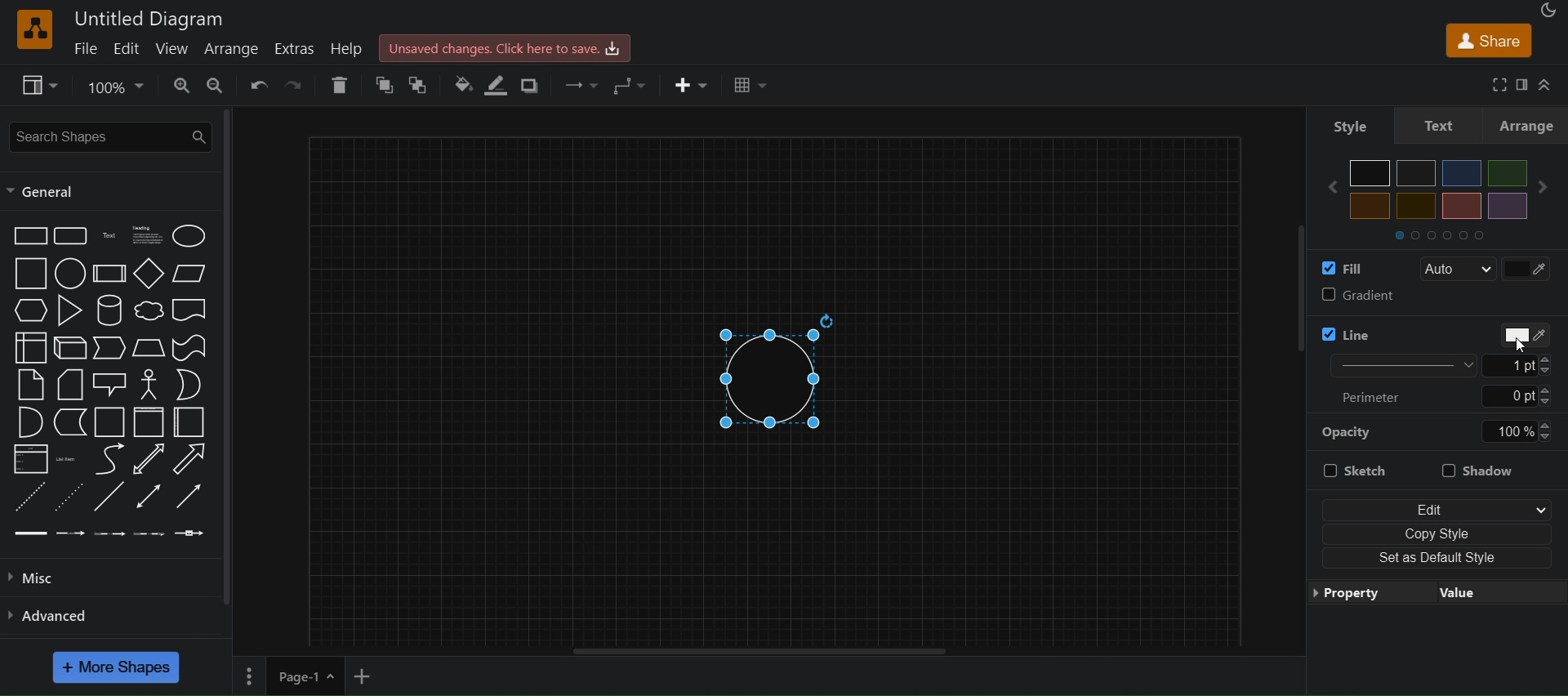 The image size is (1568, 696). I want to click on connector 5, so click(189, 533).